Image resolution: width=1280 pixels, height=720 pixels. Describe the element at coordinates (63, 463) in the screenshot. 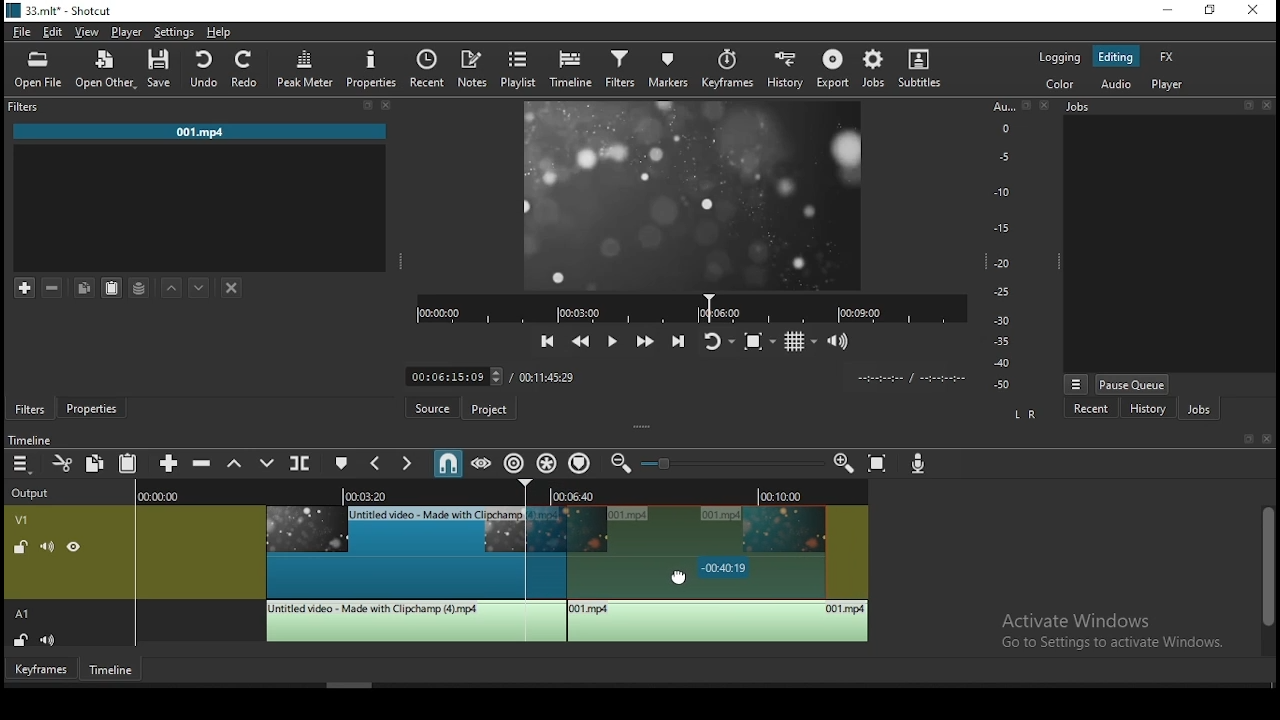

I see `cut` at that location.